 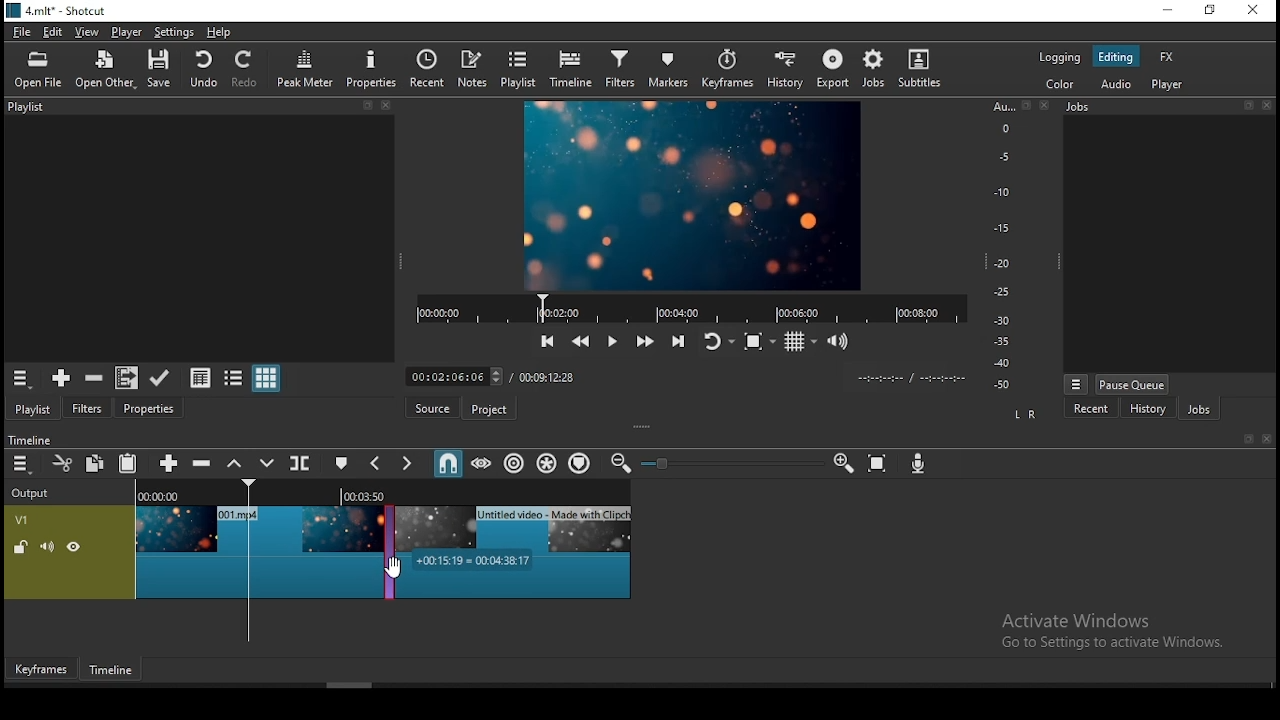 I want to click on snap, so click(x=447, y=464).